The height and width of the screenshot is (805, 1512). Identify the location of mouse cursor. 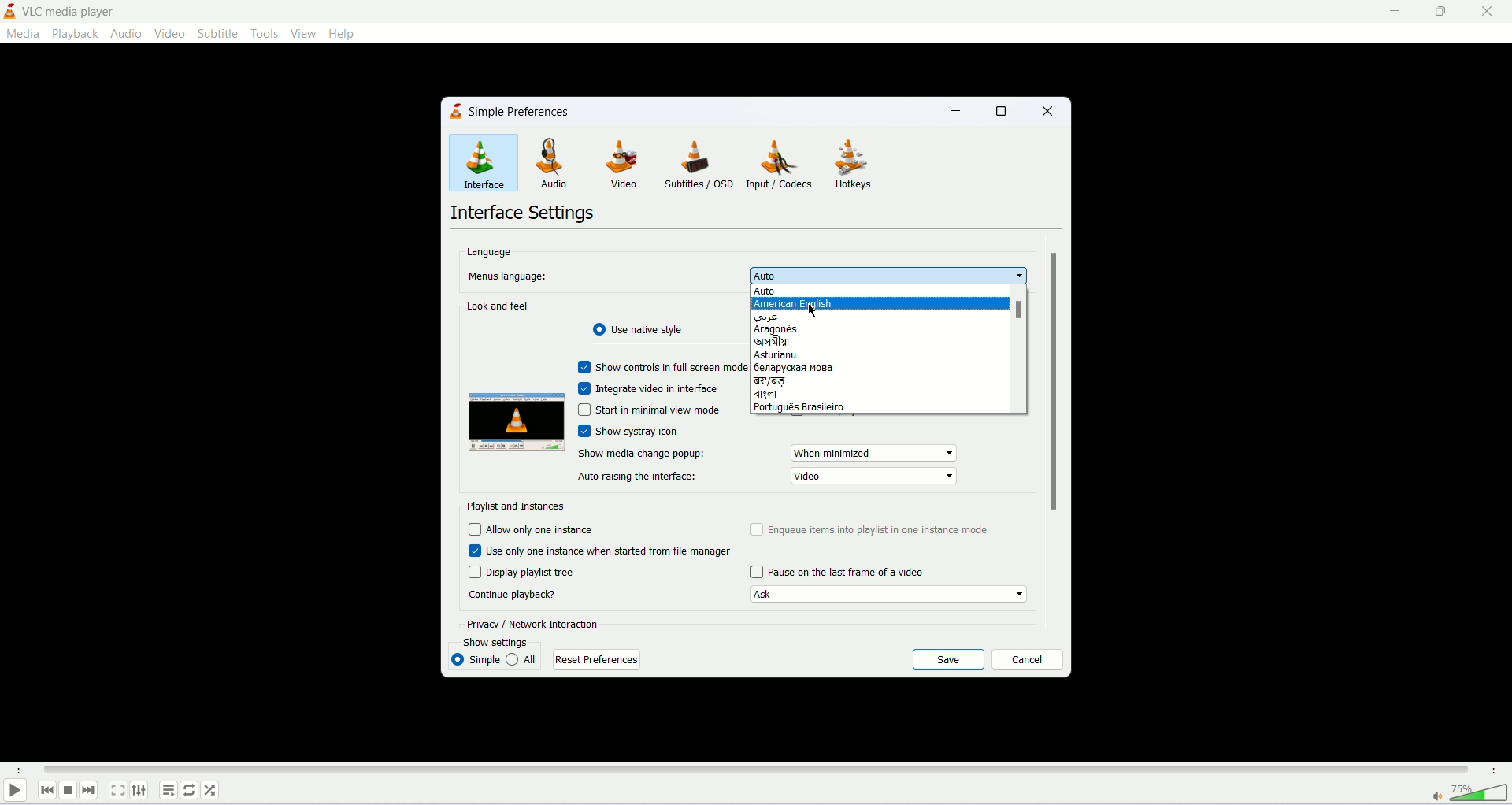
(814, 312).